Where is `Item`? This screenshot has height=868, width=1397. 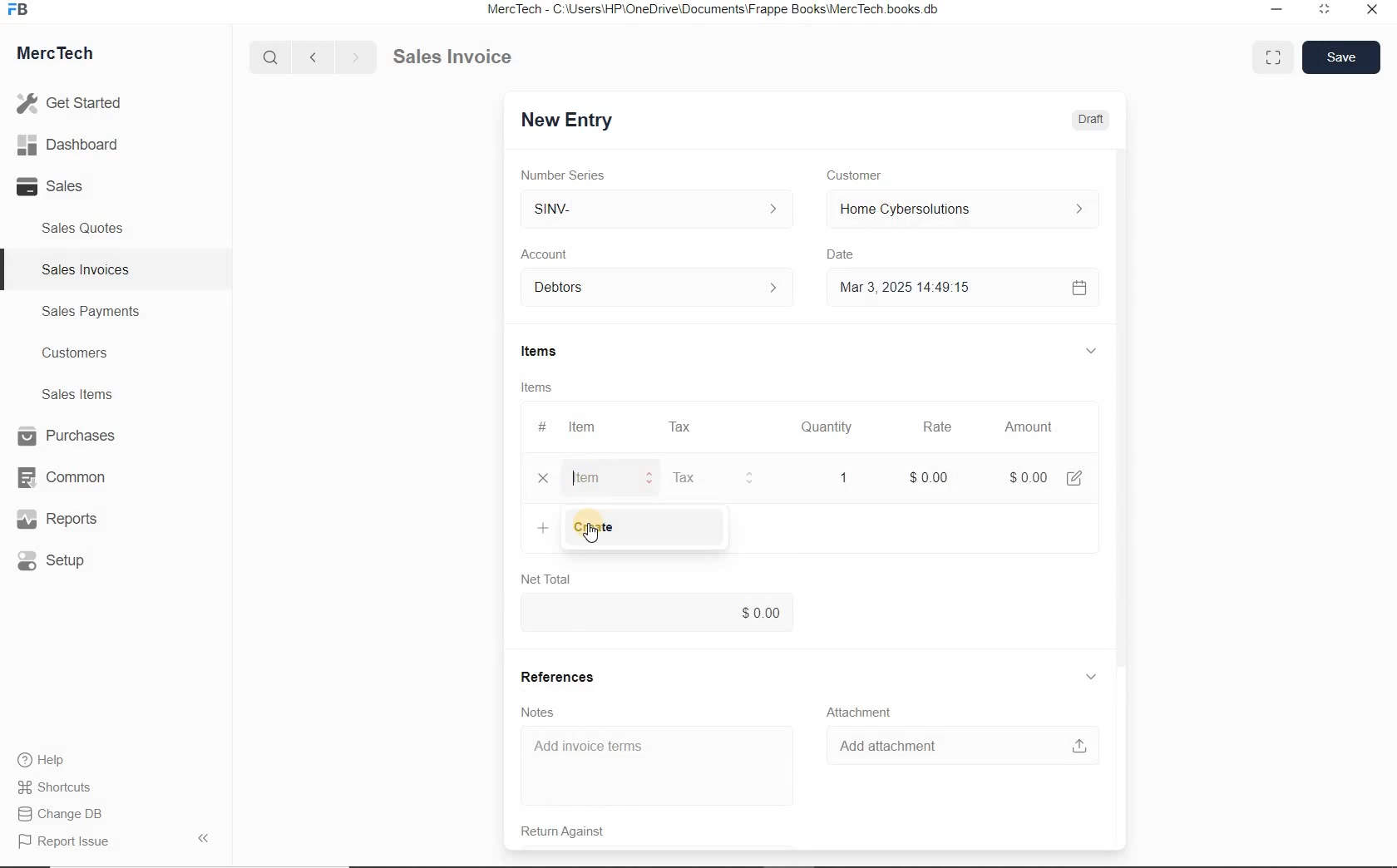 Item is located at coordinates (584, 427).